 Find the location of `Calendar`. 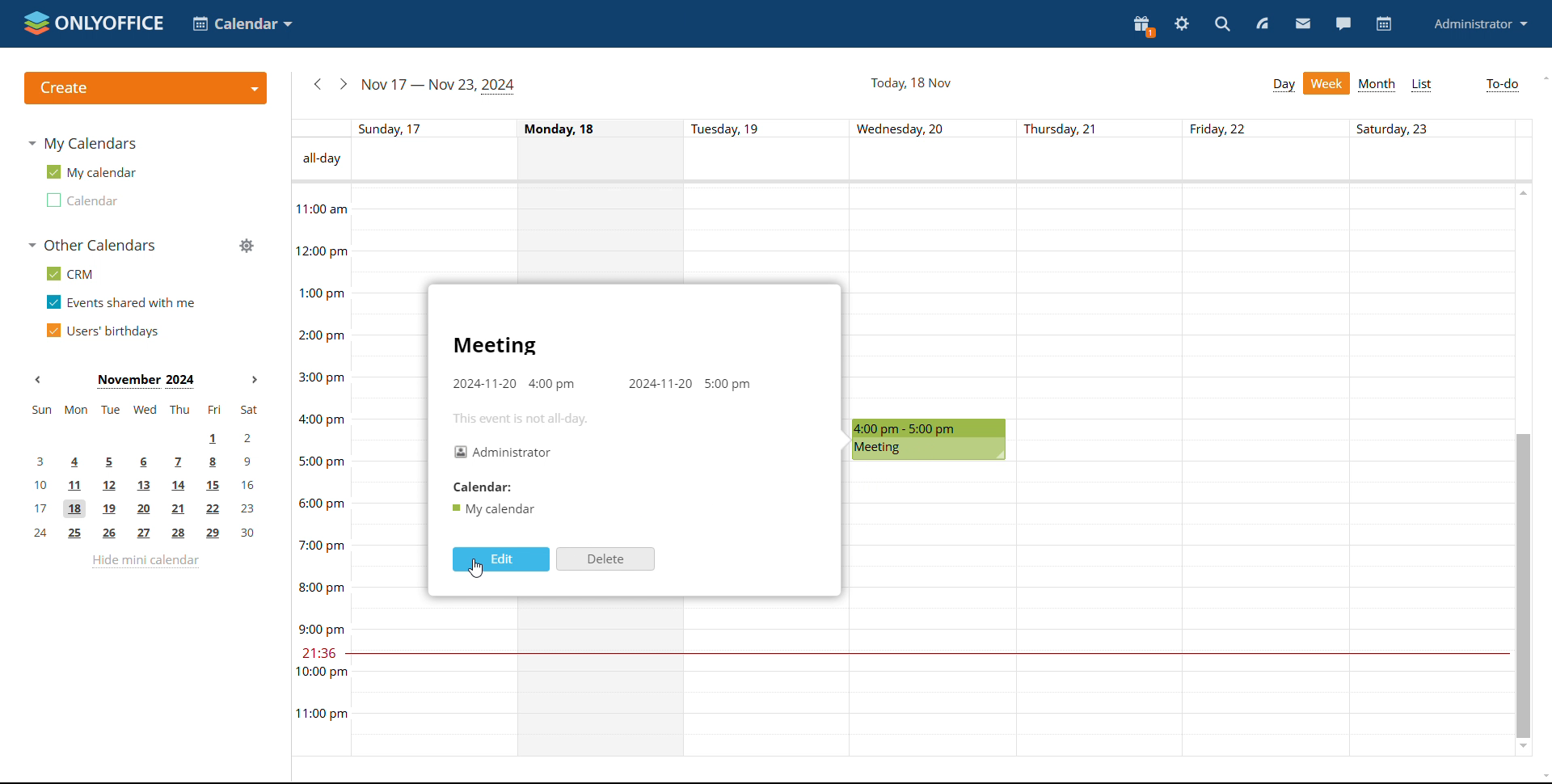

Calendar is located at coordinates (479, 487).